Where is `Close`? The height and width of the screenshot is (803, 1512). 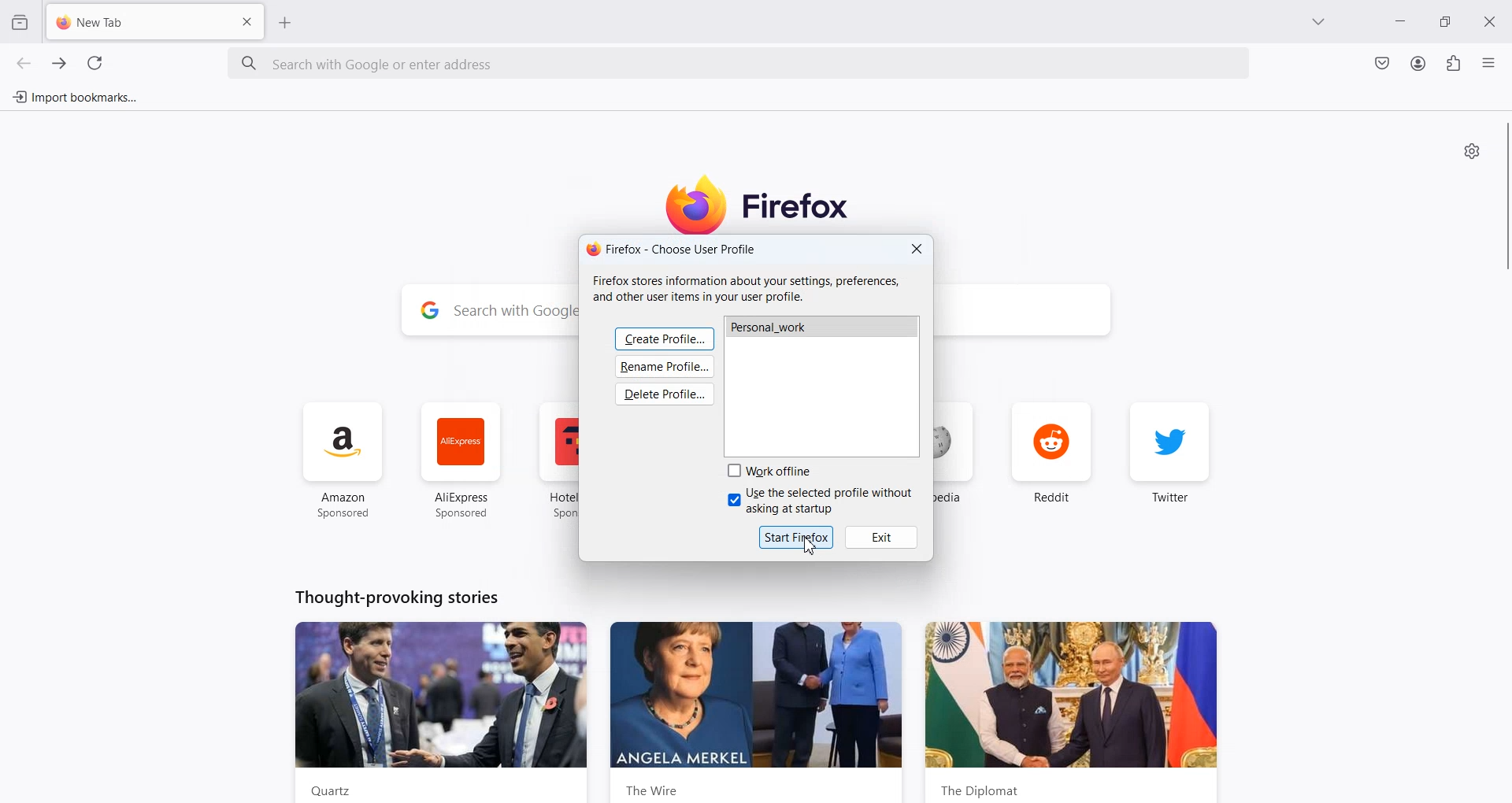 Close is located at coordinates (917, 250).